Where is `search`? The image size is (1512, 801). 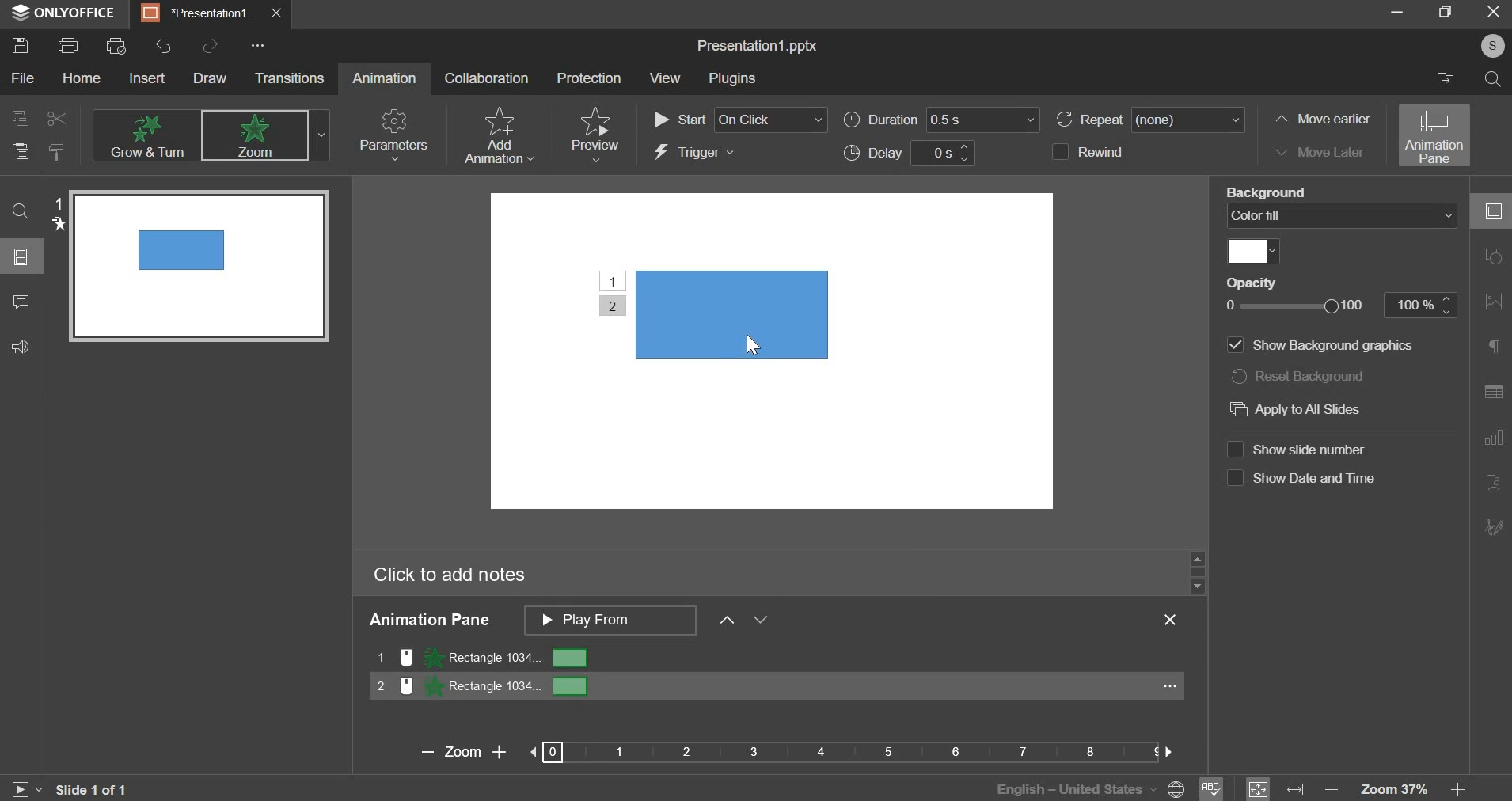
search is located at coordinates (24, 211).